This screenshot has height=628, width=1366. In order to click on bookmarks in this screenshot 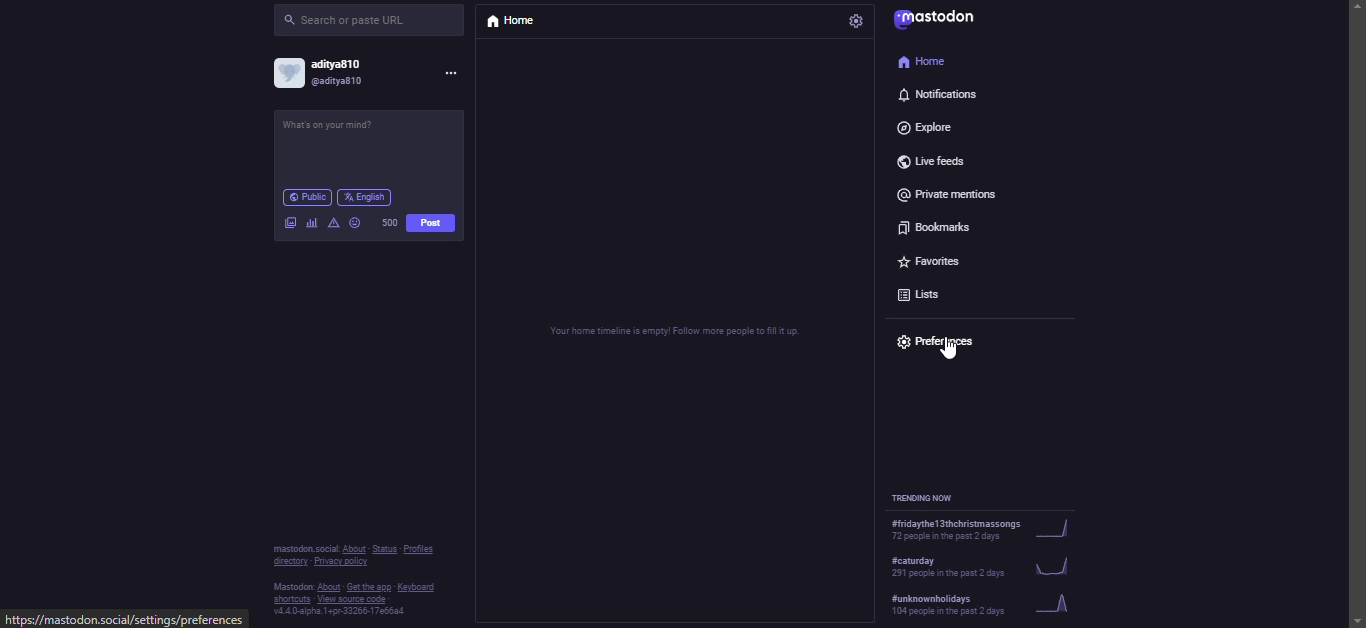, I will do `click(933, 227)`.